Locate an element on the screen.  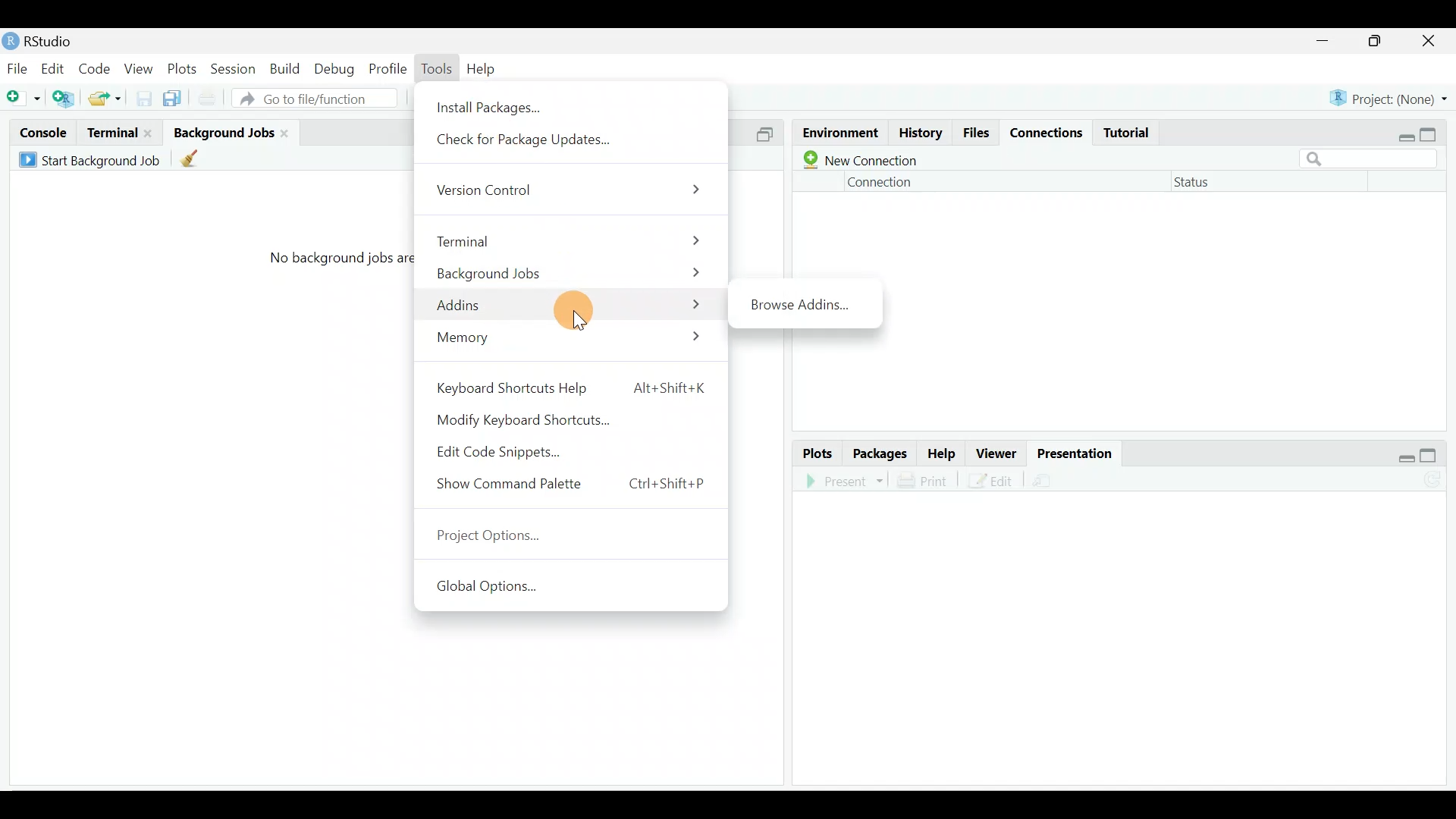
Background Jobs > is located at coordinates (573, 271).